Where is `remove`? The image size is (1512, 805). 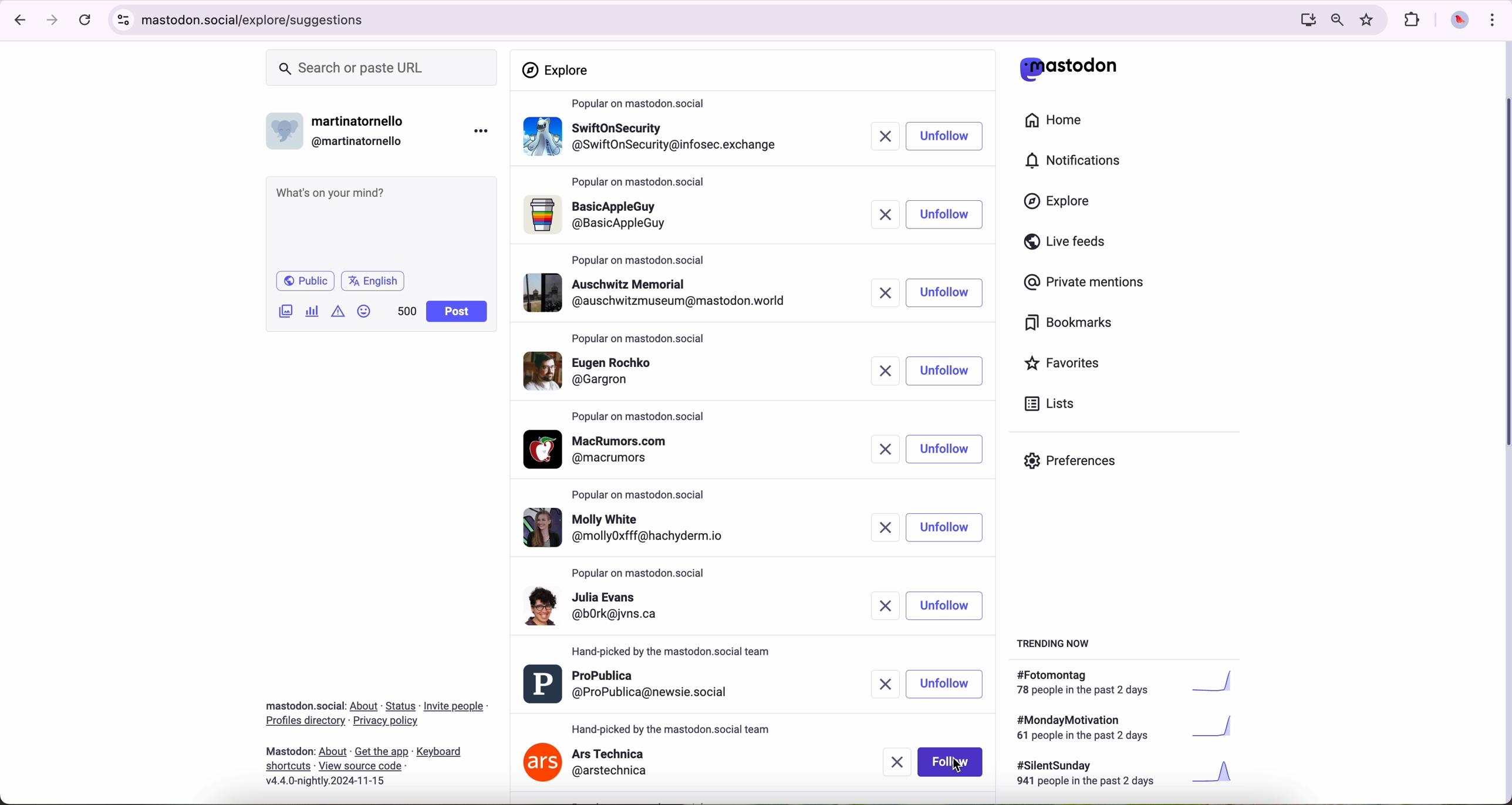 remove is located at coordinates (880, 372).